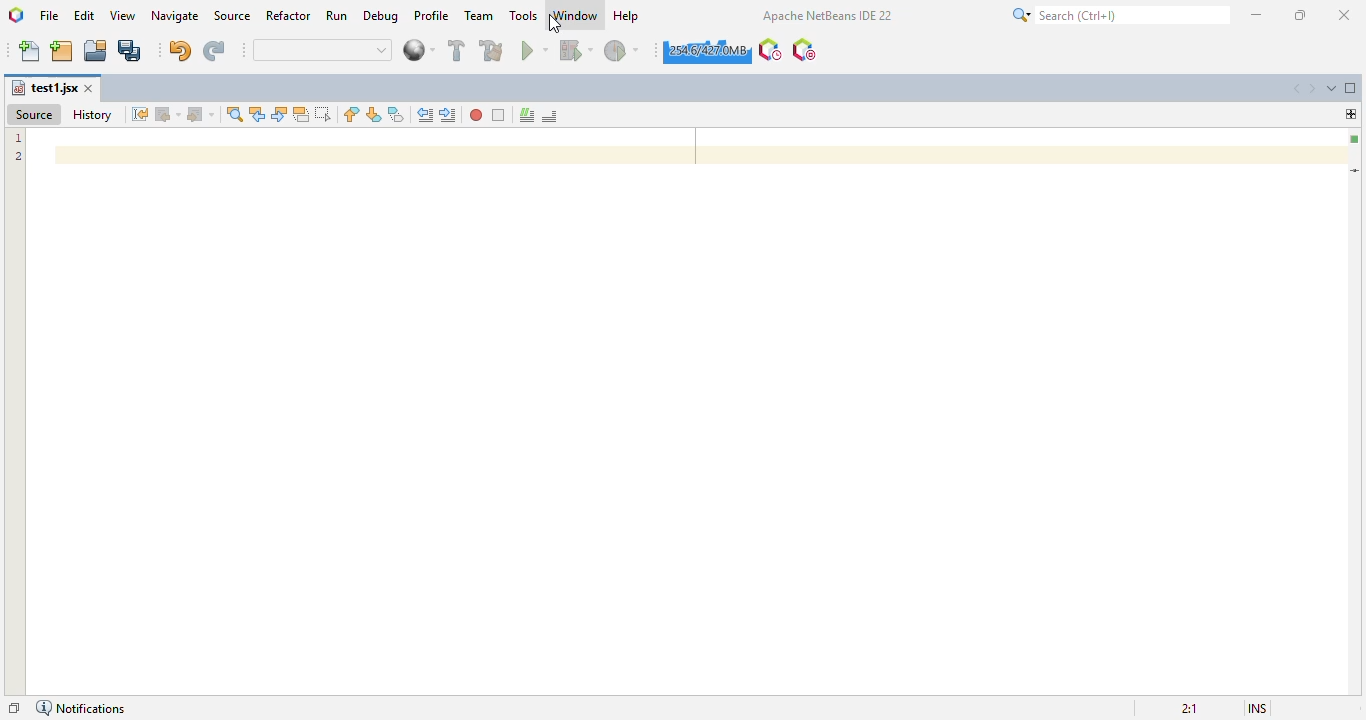 This screenshot has height=720, width=1366. I want to click on debug, so click(382, 16).